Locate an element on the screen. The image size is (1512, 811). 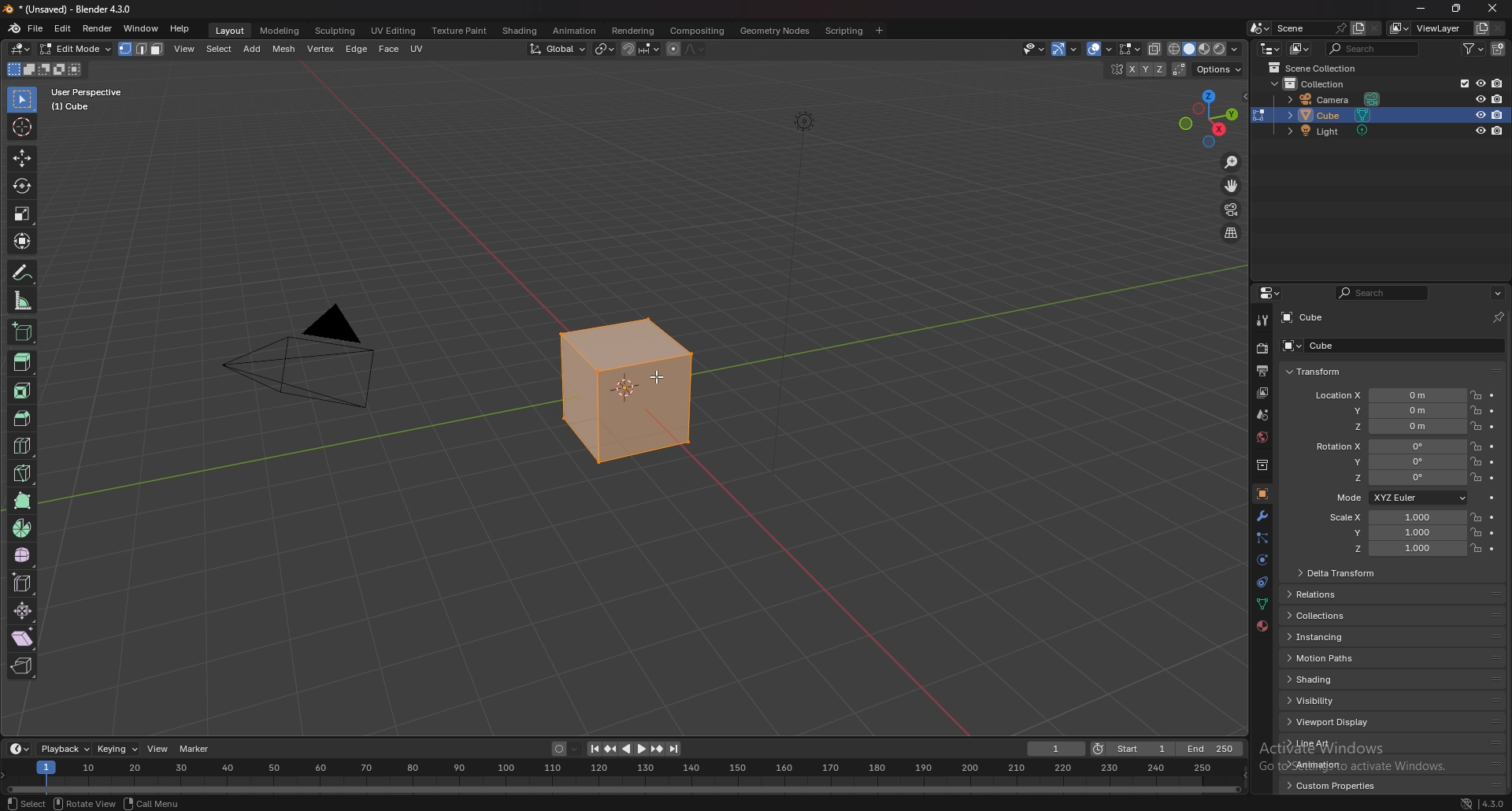
blender is located at coordinates (14, 29).